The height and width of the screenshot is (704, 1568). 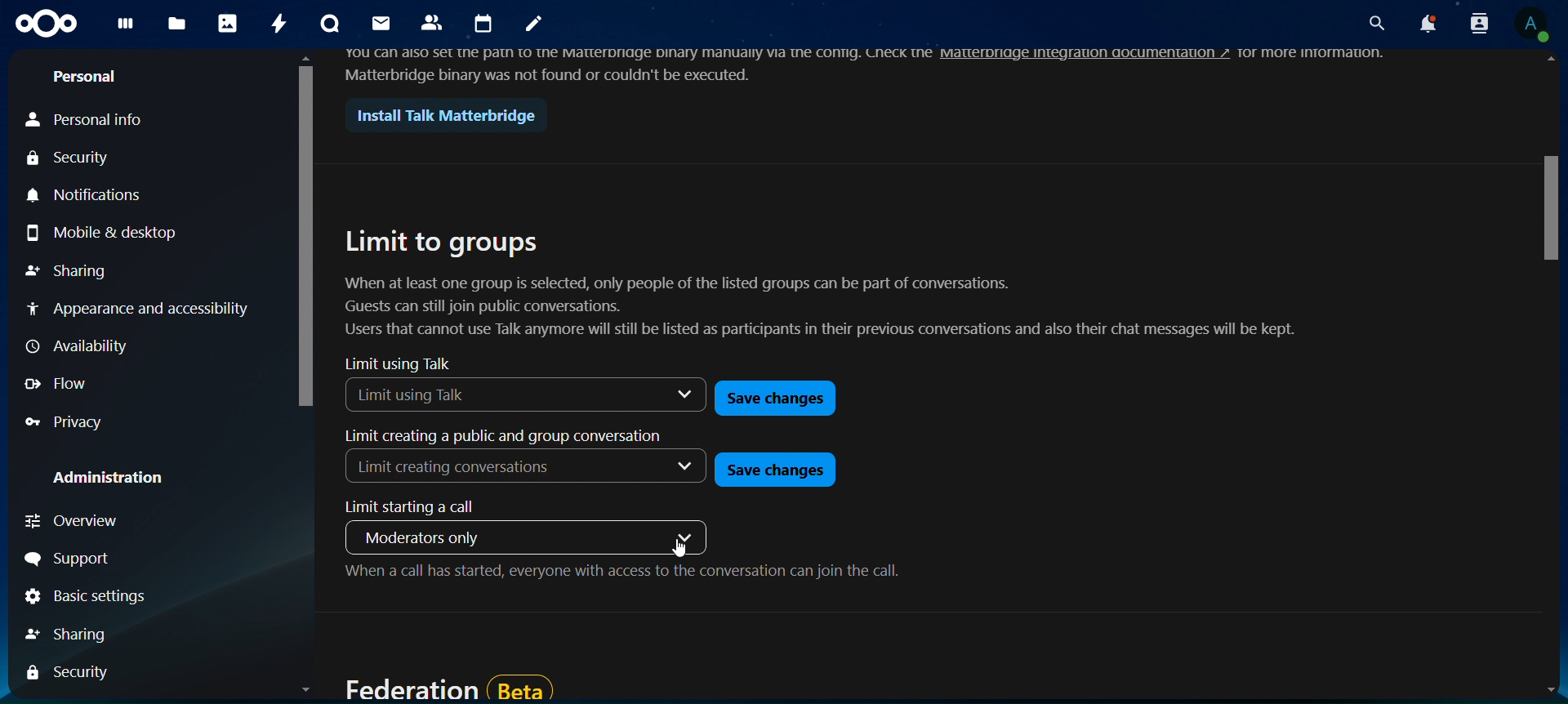 I want to click on sharing, so click(x=75, y=634).